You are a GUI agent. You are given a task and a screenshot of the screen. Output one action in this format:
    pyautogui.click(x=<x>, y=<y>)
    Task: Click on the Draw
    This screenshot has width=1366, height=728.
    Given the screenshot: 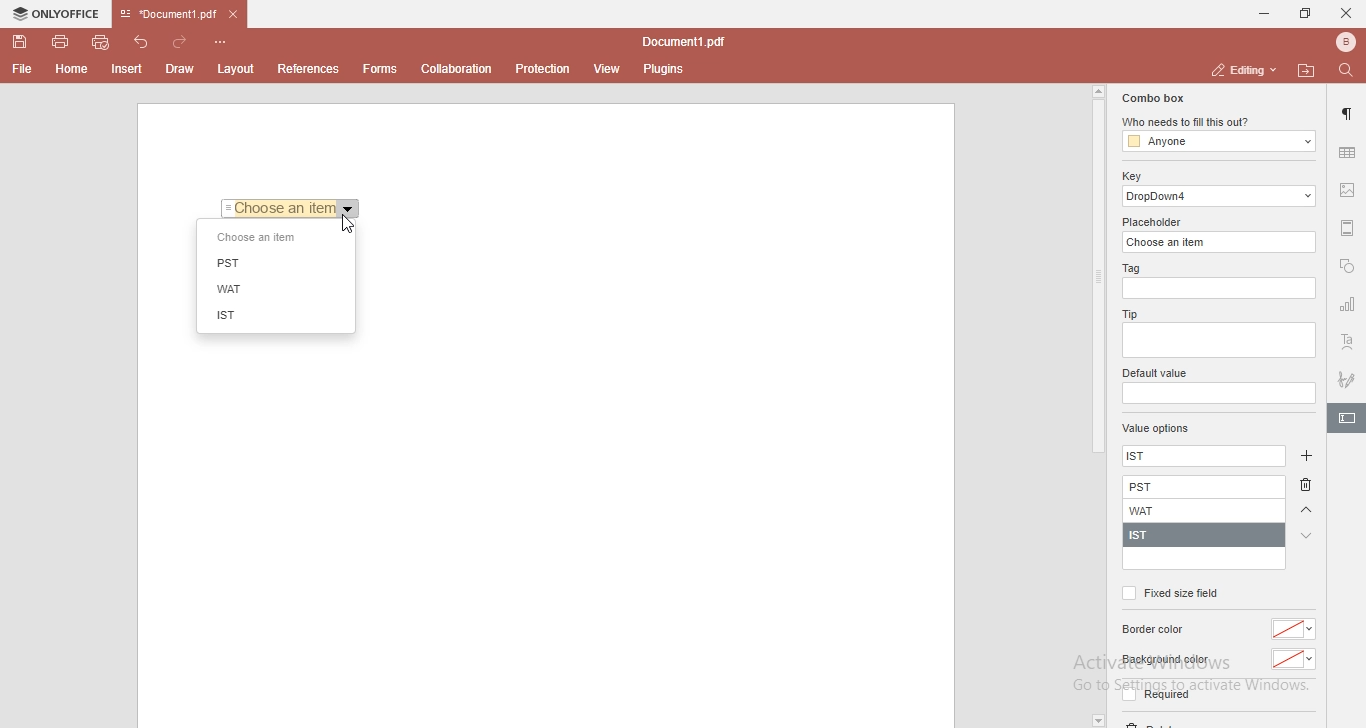 What is the action you would take?
    pyautogui.click(x=184, y=68)
    